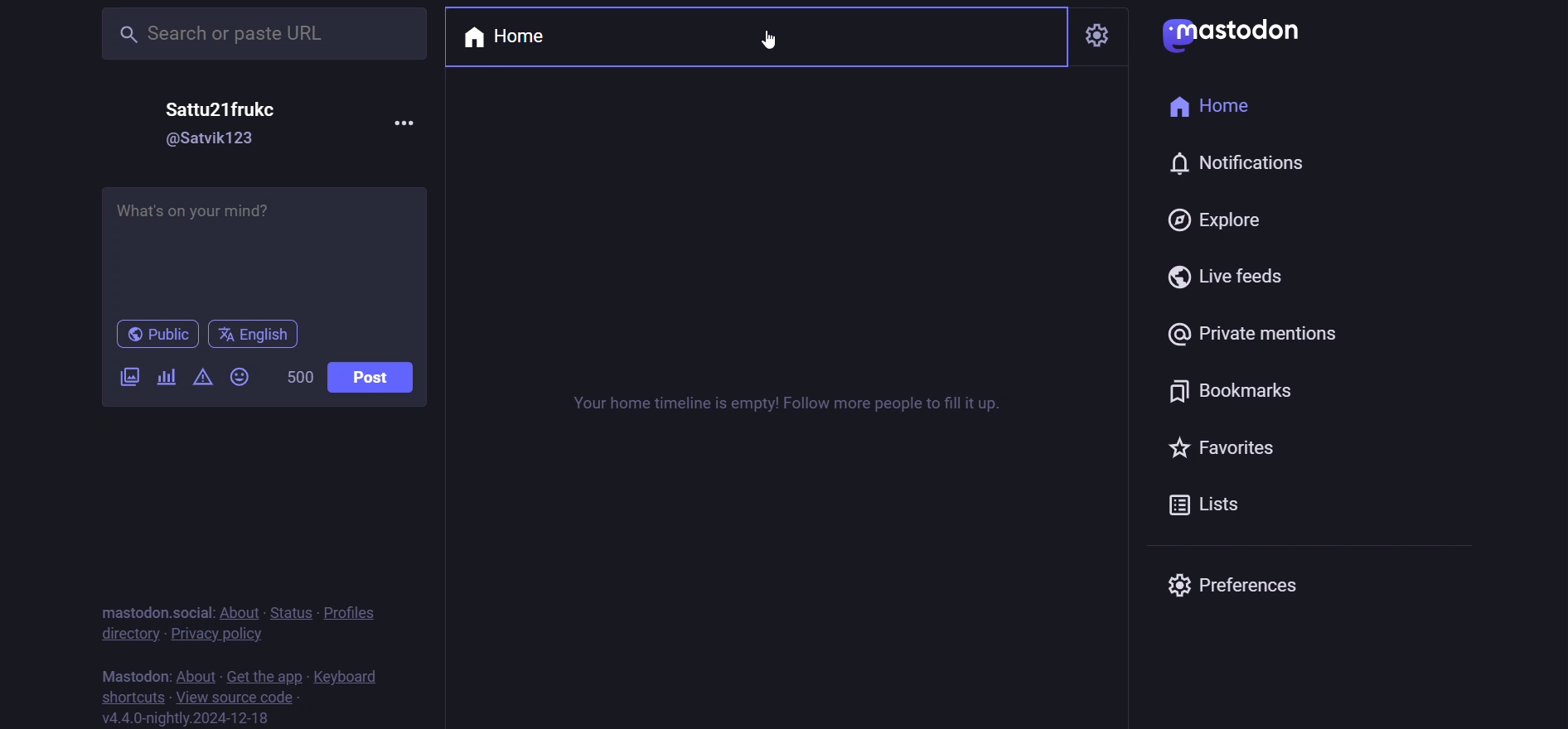 This screenshot has width=1568, height=729. I want to click on post here, so click(264, 247).